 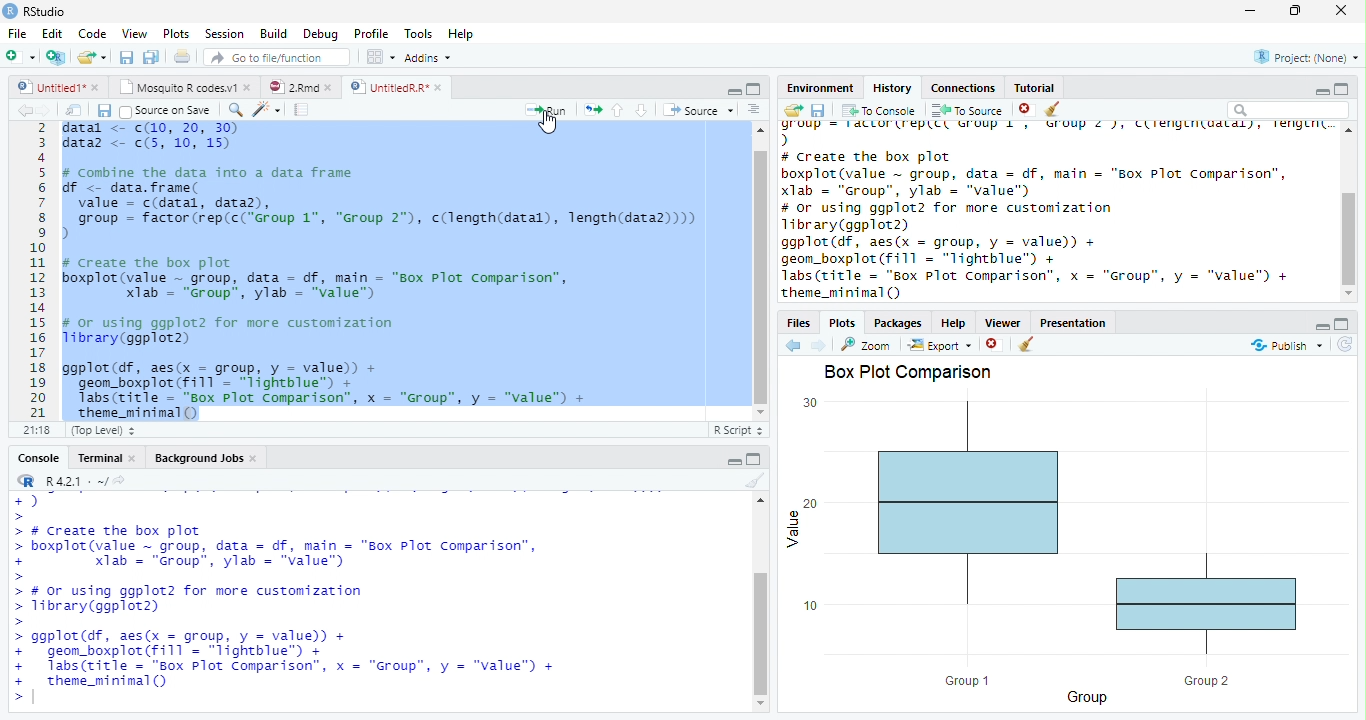 What do you see at coordinates (699, 110) in the screenshot?
I see `Source` at bounding box center [699, 110].